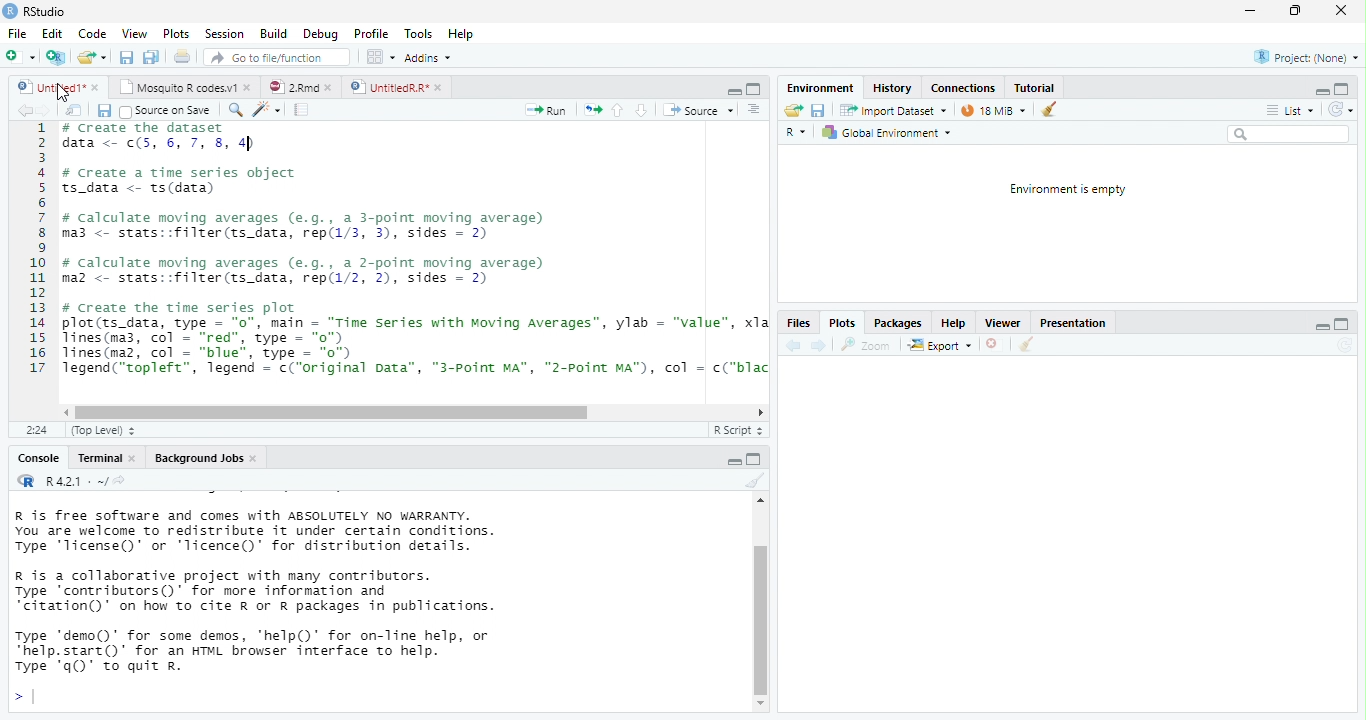  What do you see at coordinates (320, 34) in the screenshot?
I see `Debug` at bounding box center [320, 34].